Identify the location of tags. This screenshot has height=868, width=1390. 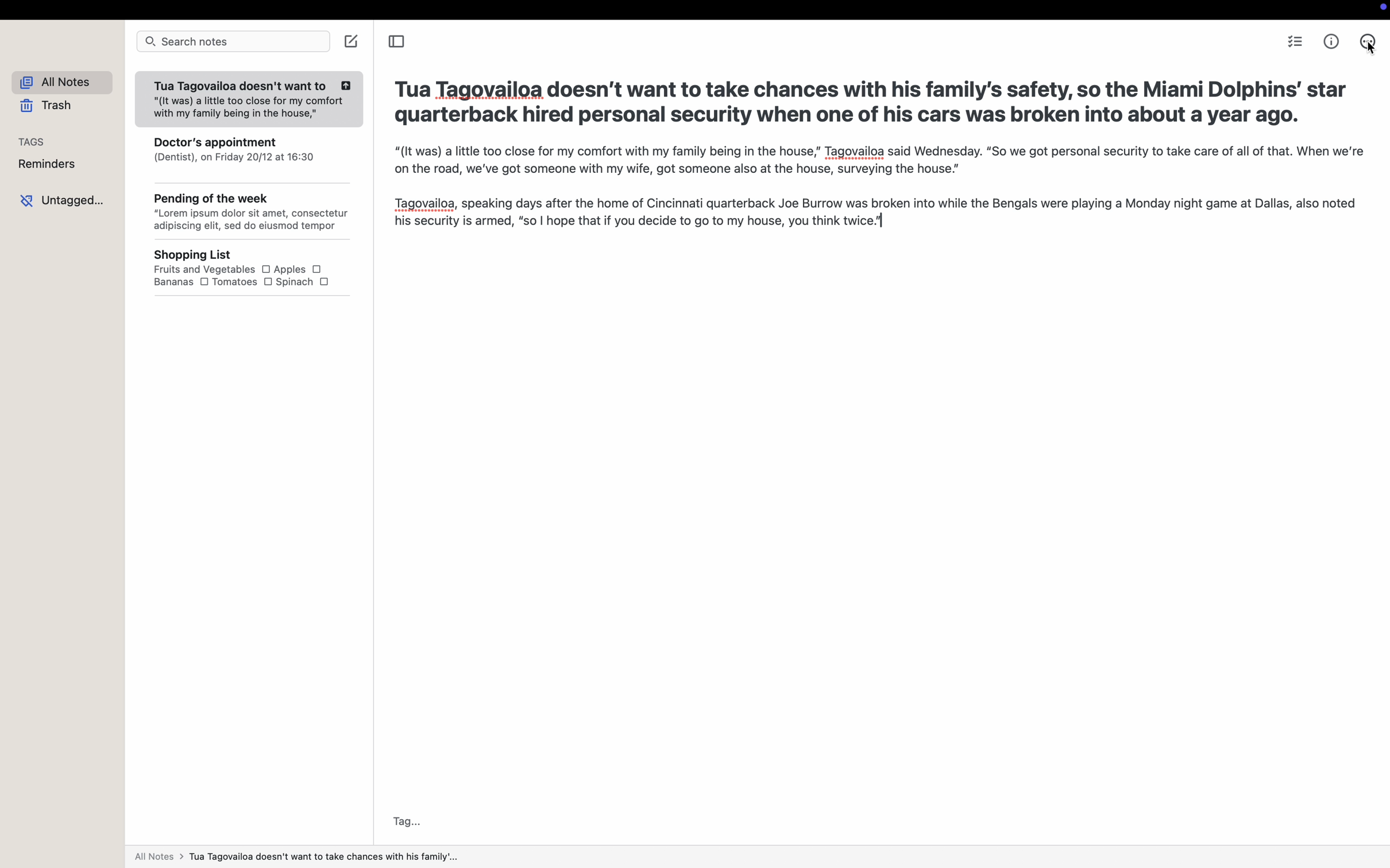
(27, 141).